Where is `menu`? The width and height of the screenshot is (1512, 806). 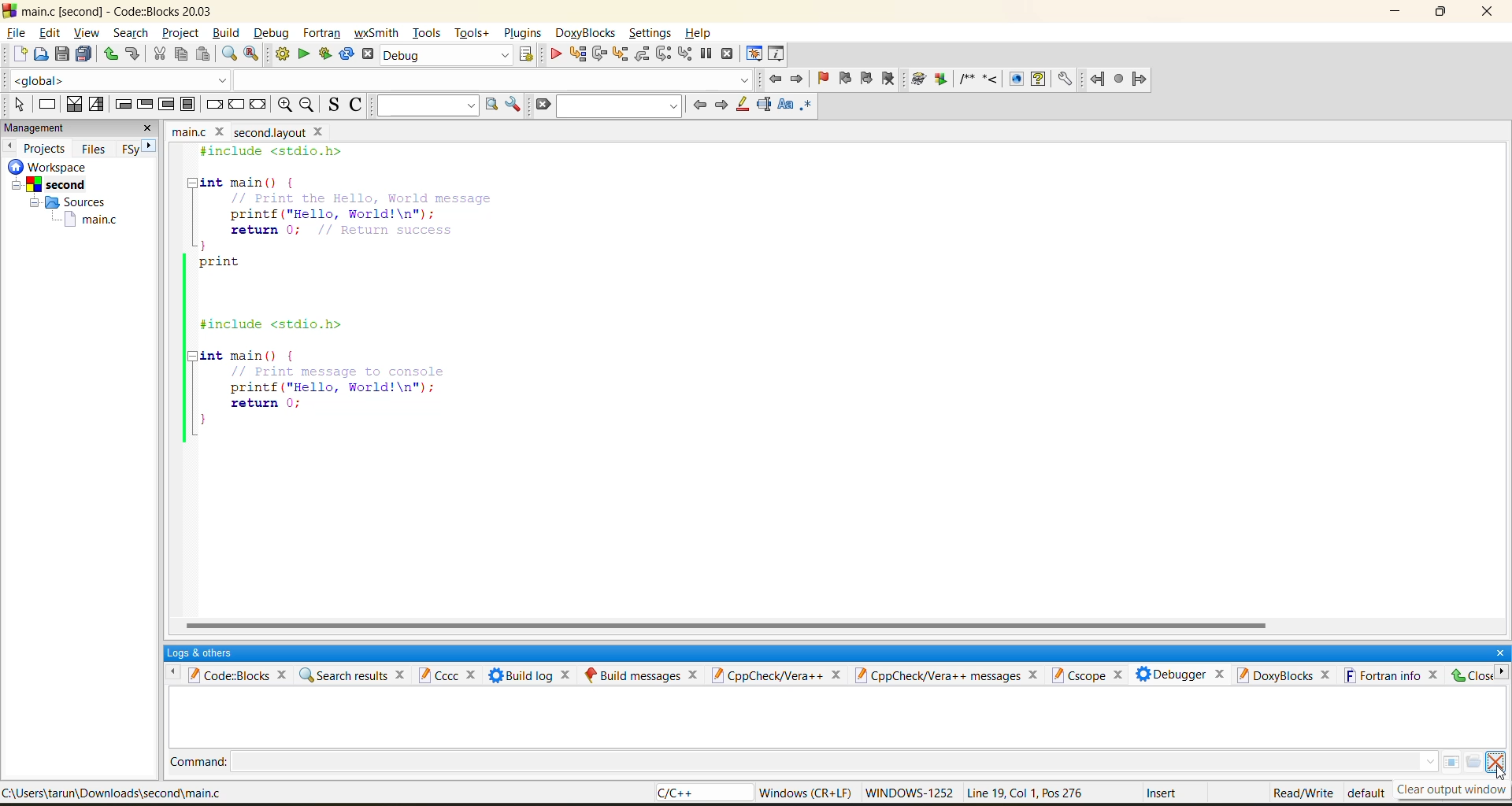
menu is located at coordinates (1465, 763).